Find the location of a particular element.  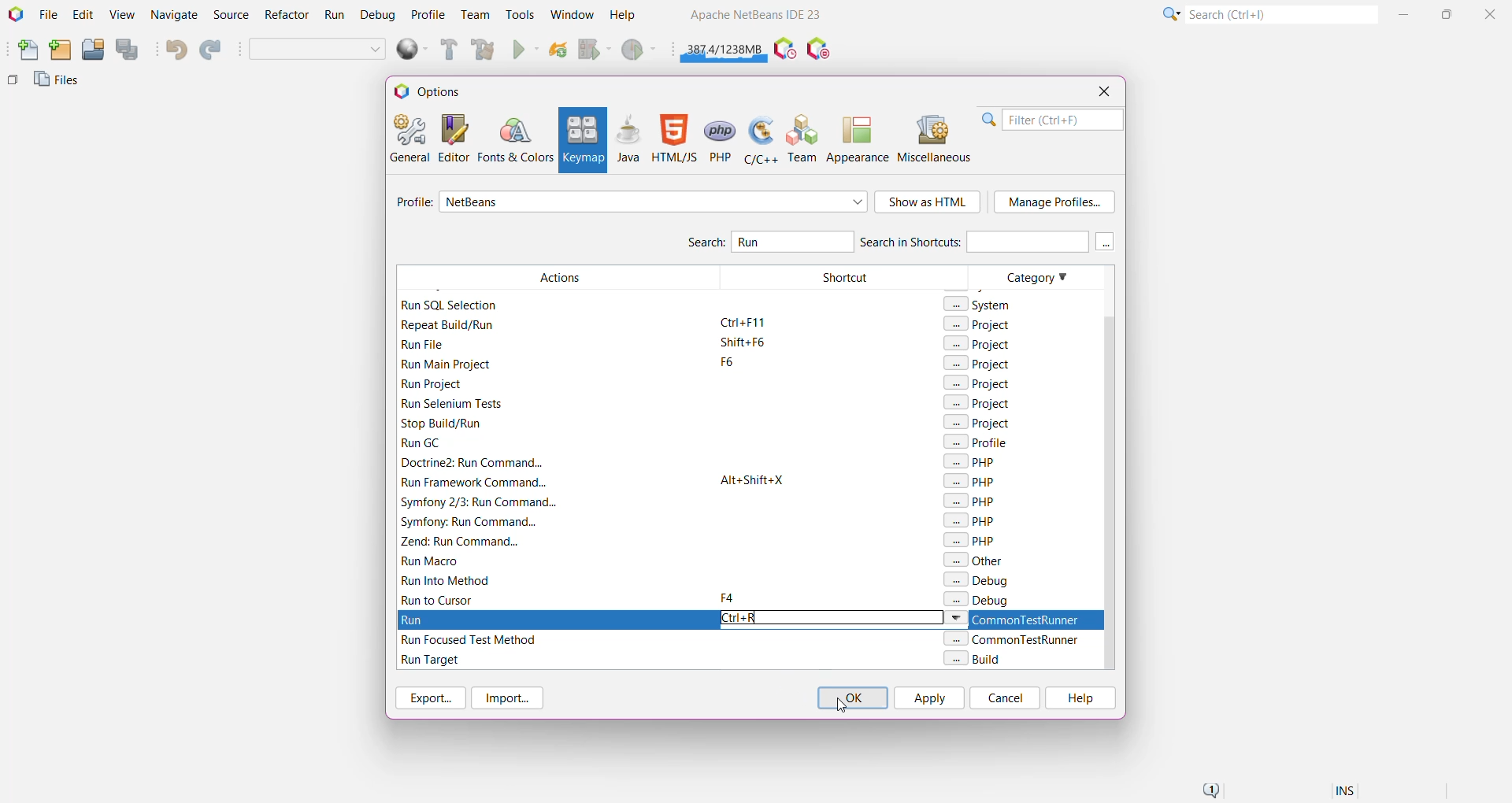

Miscellaneous is located at coordinates (936, 139).